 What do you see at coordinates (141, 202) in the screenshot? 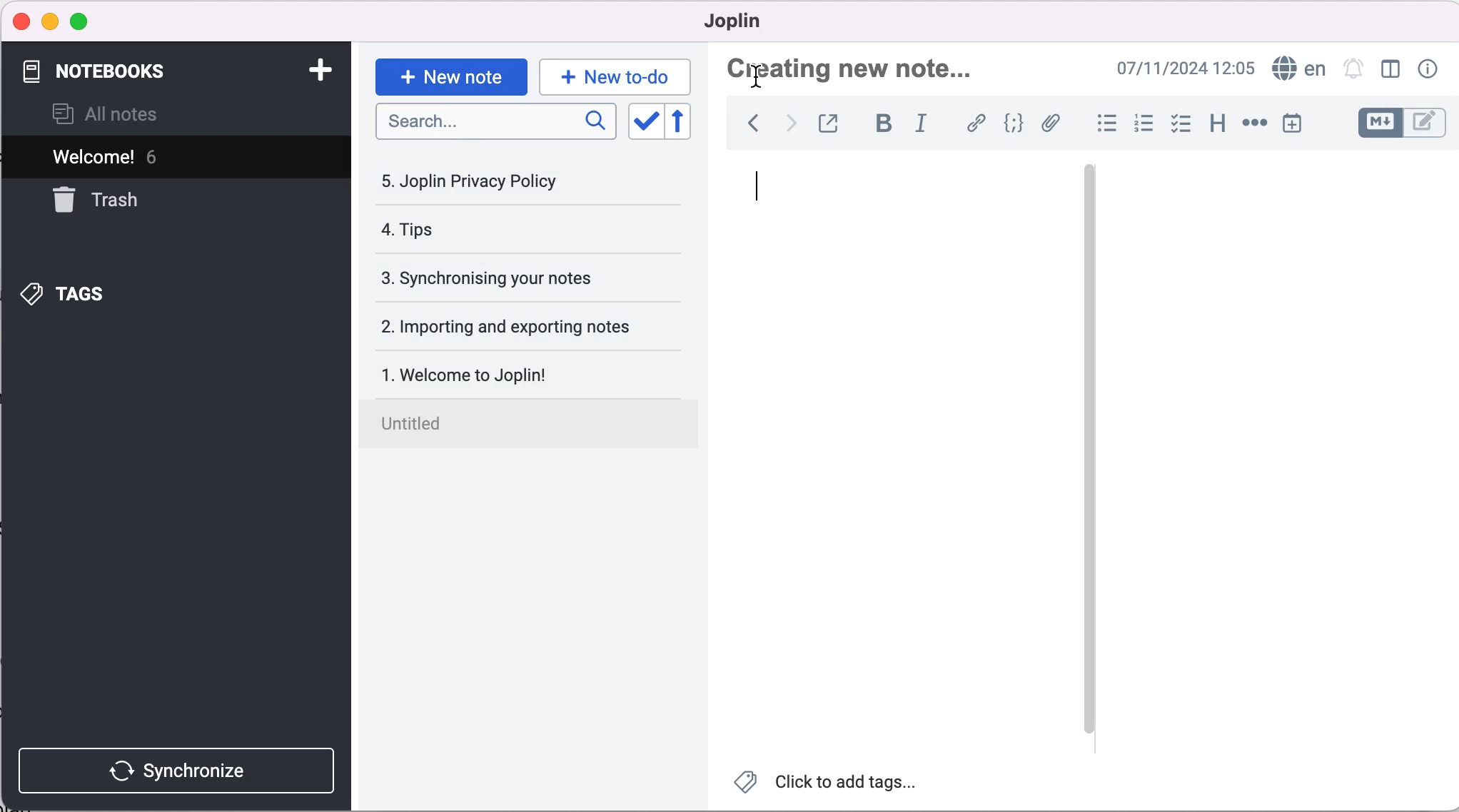
I see `trash` at bounding box center [141, 202].